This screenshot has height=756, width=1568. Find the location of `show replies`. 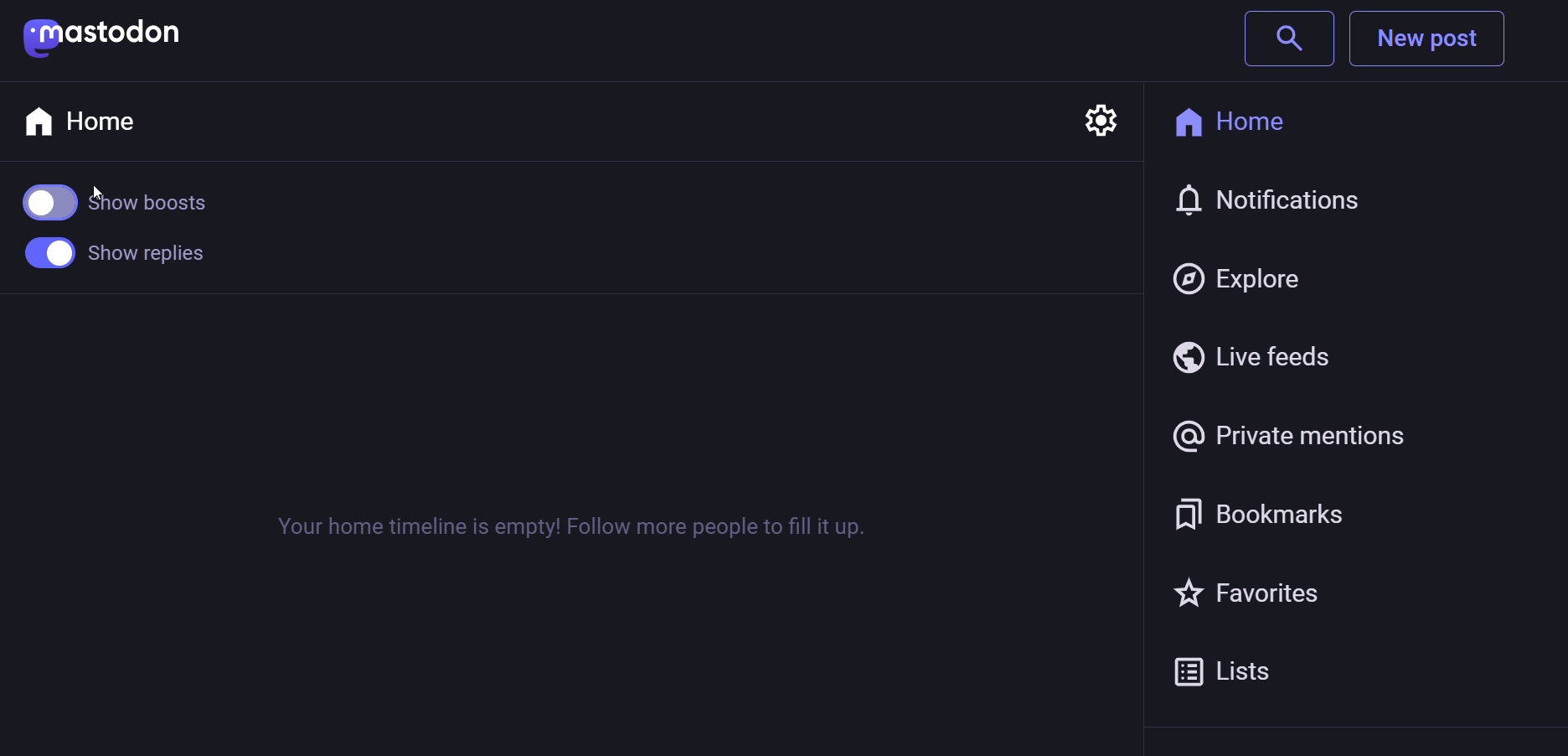

show replies is located at coordinates (125, 256).